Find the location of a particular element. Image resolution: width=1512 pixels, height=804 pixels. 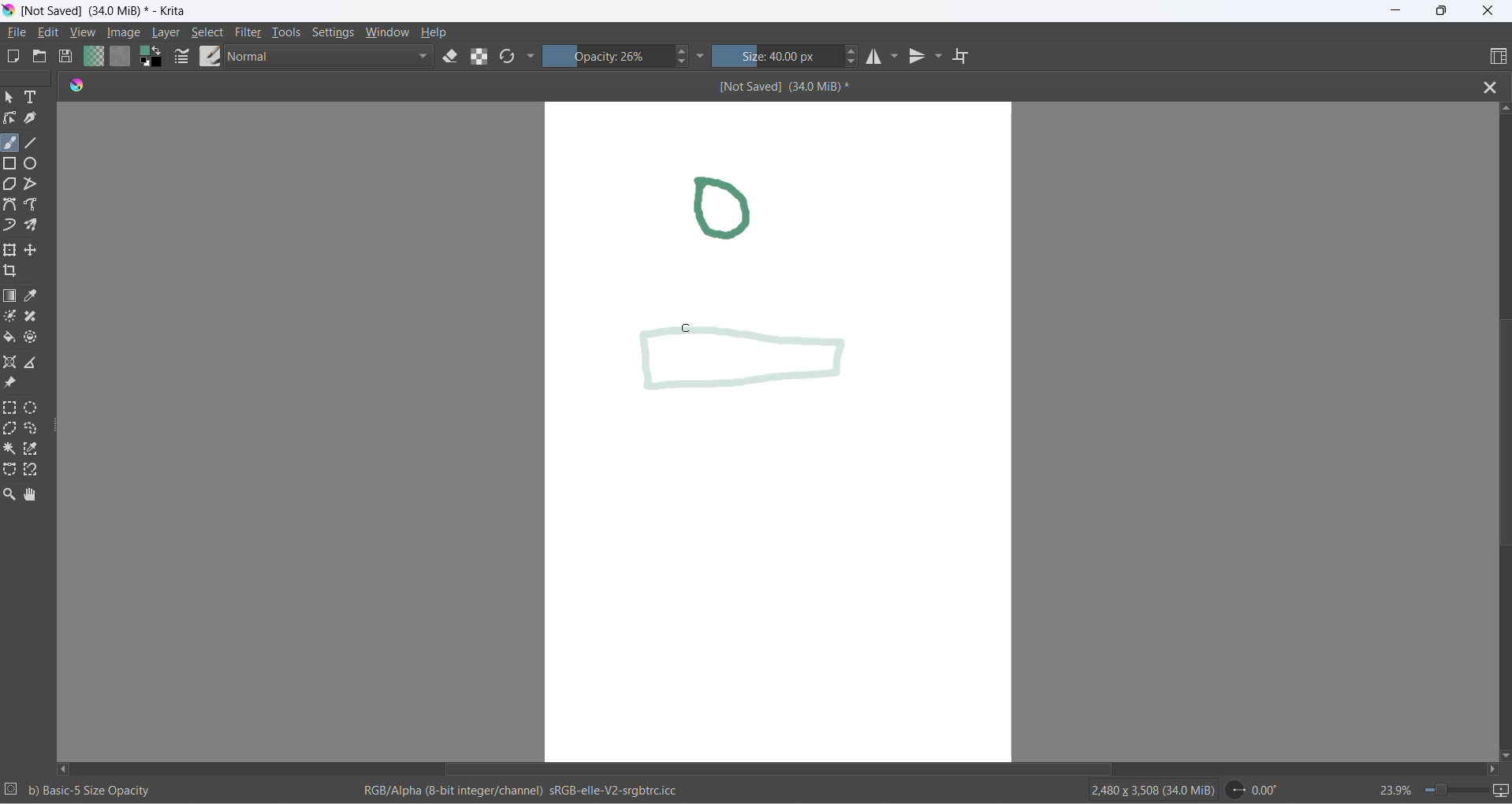

cursor is located at coordinates (687, 328).